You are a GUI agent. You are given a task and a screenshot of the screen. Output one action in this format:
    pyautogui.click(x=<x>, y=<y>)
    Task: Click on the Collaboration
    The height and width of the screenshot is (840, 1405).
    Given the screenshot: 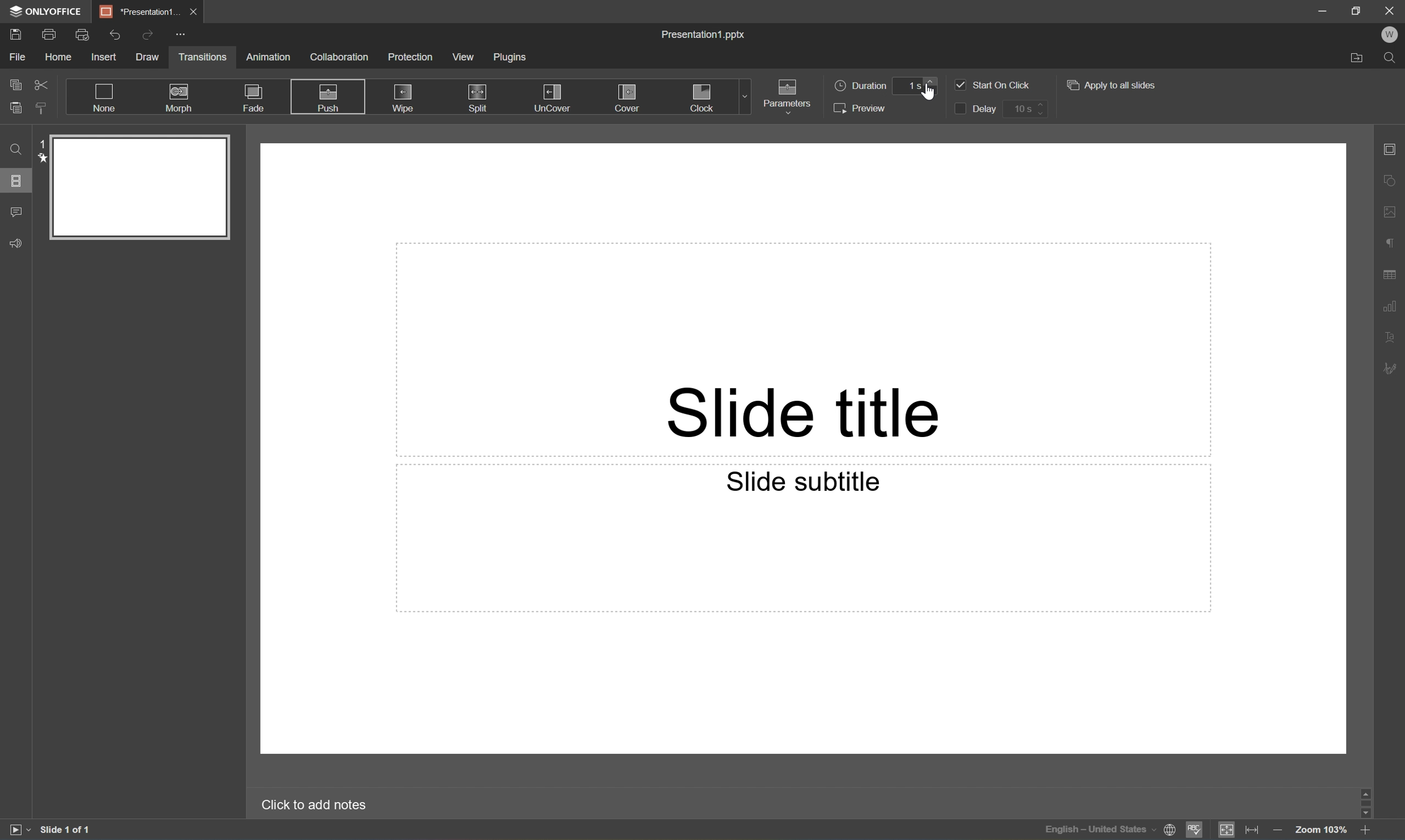 What is the action you would take?
    pyautogui.click(x=340, y=61)
    